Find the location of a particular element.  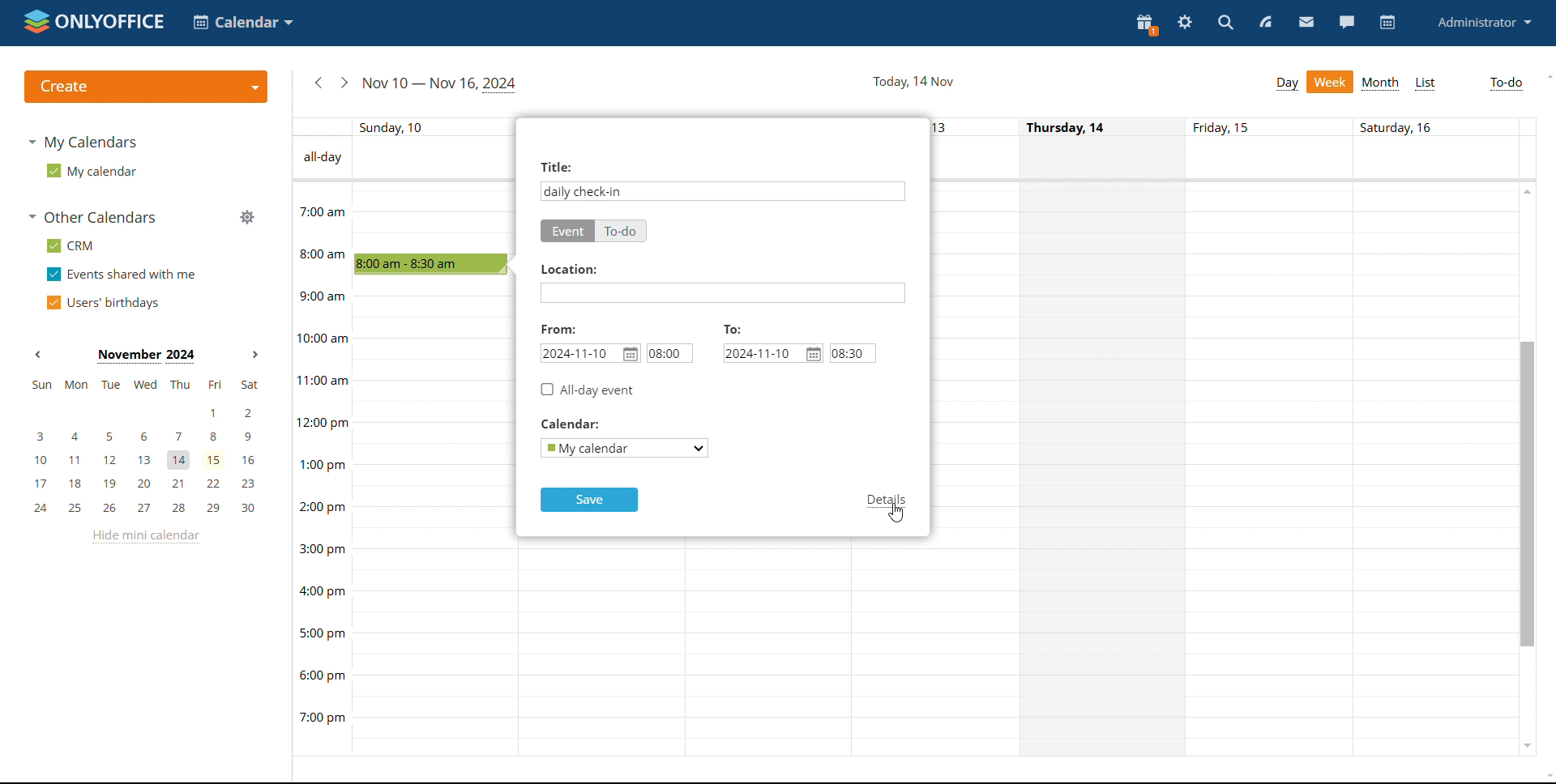

all-day event checkbox is located at coordinates (592, 390).